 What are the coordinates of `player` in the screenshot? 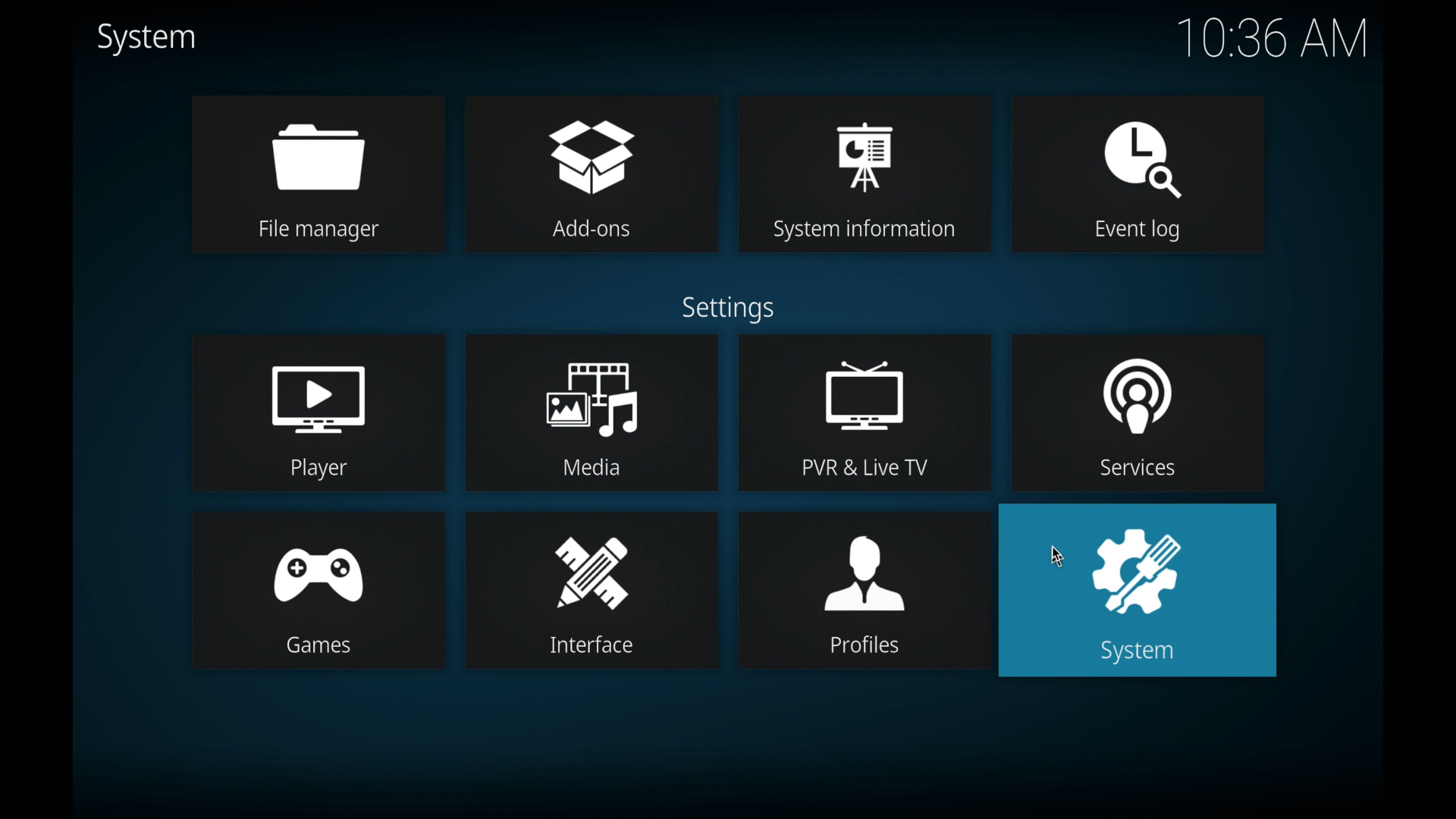 It's located at (317, 412).